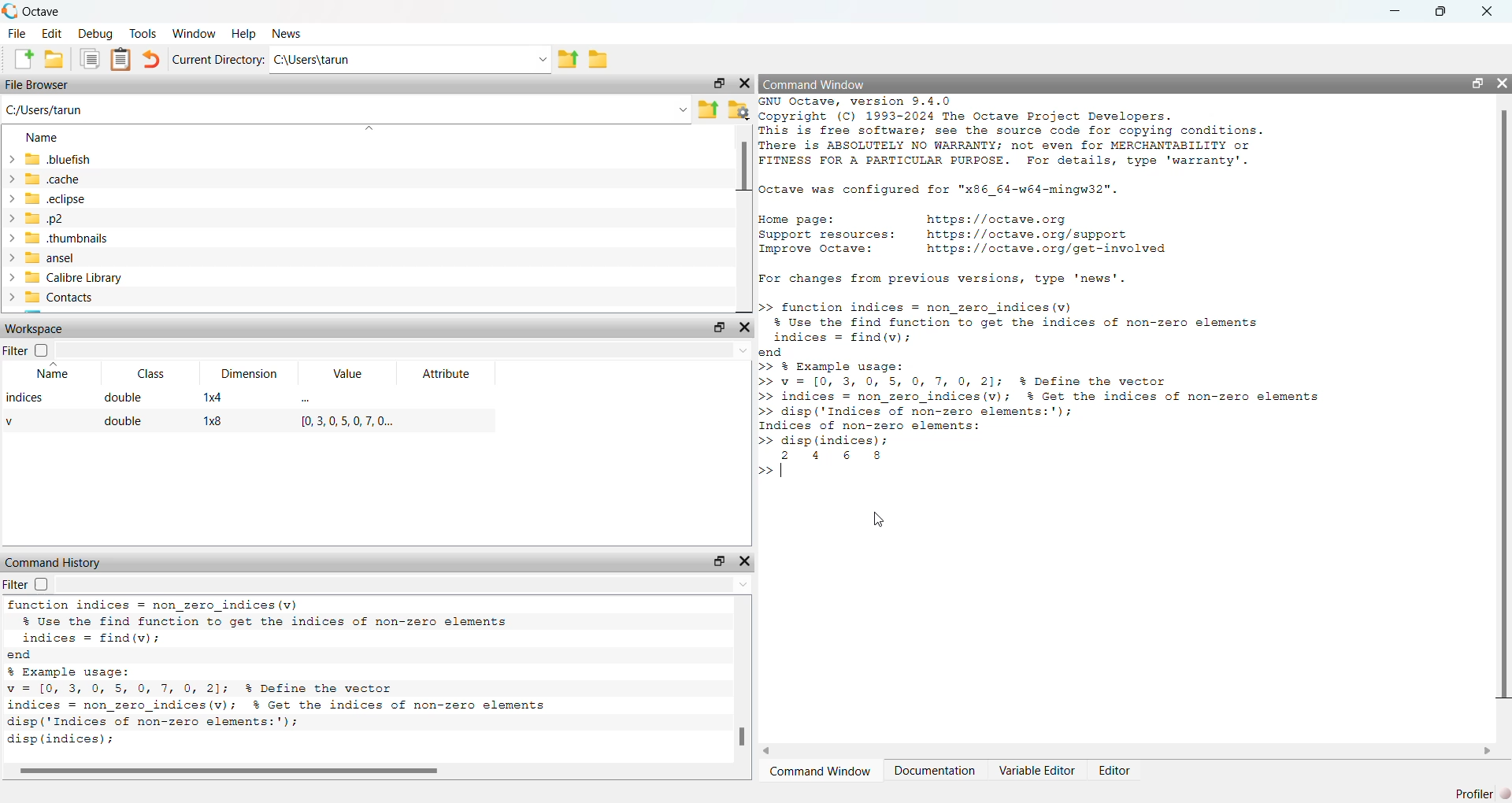 This screenshot has width=1512, height=803. What do you see at coordinates (1396, 13) in the screenshot?
I see `minimize` at bounding box center [1396, 13].